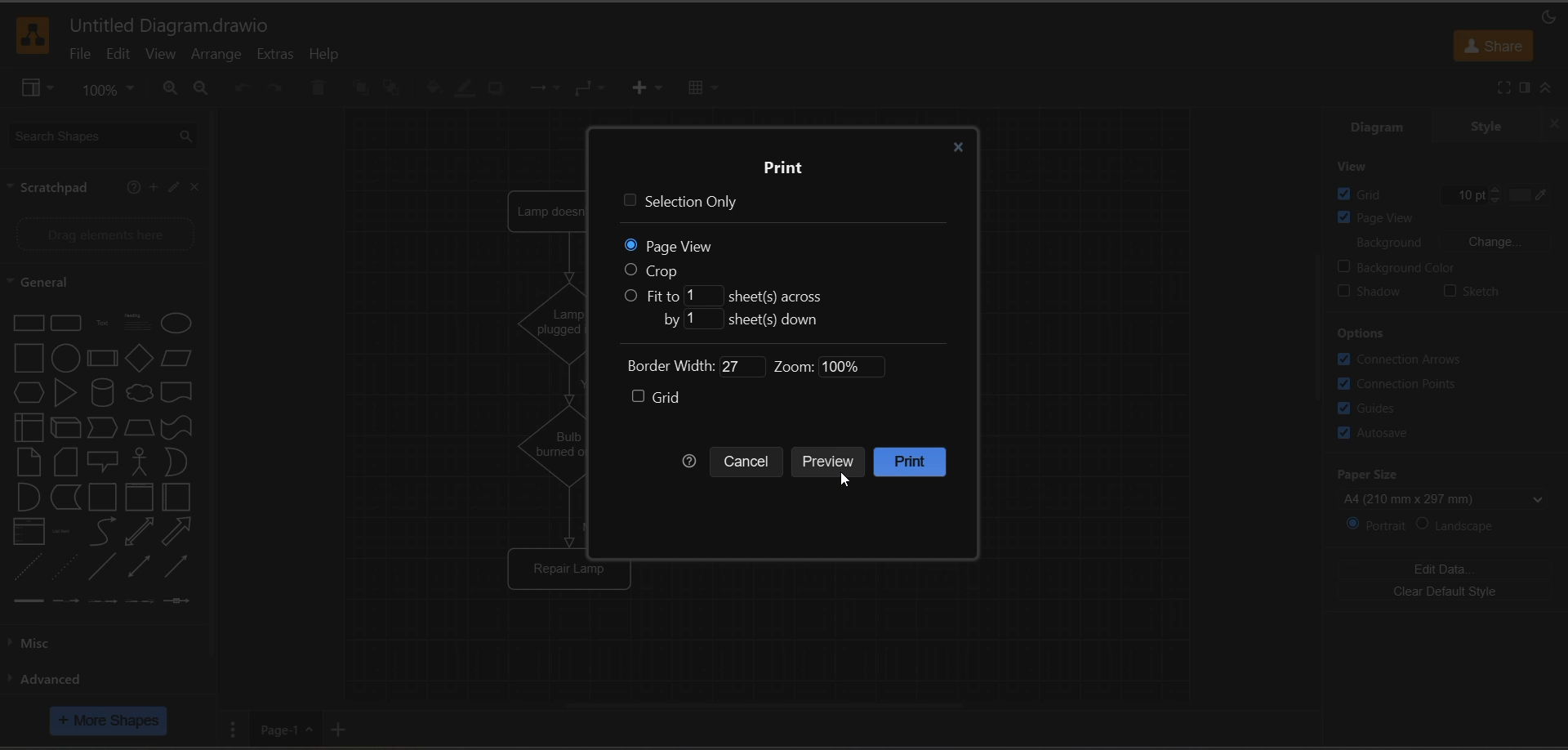 This screenshot has height=750, width=1568. I want to click on misc, so click(33, 643).